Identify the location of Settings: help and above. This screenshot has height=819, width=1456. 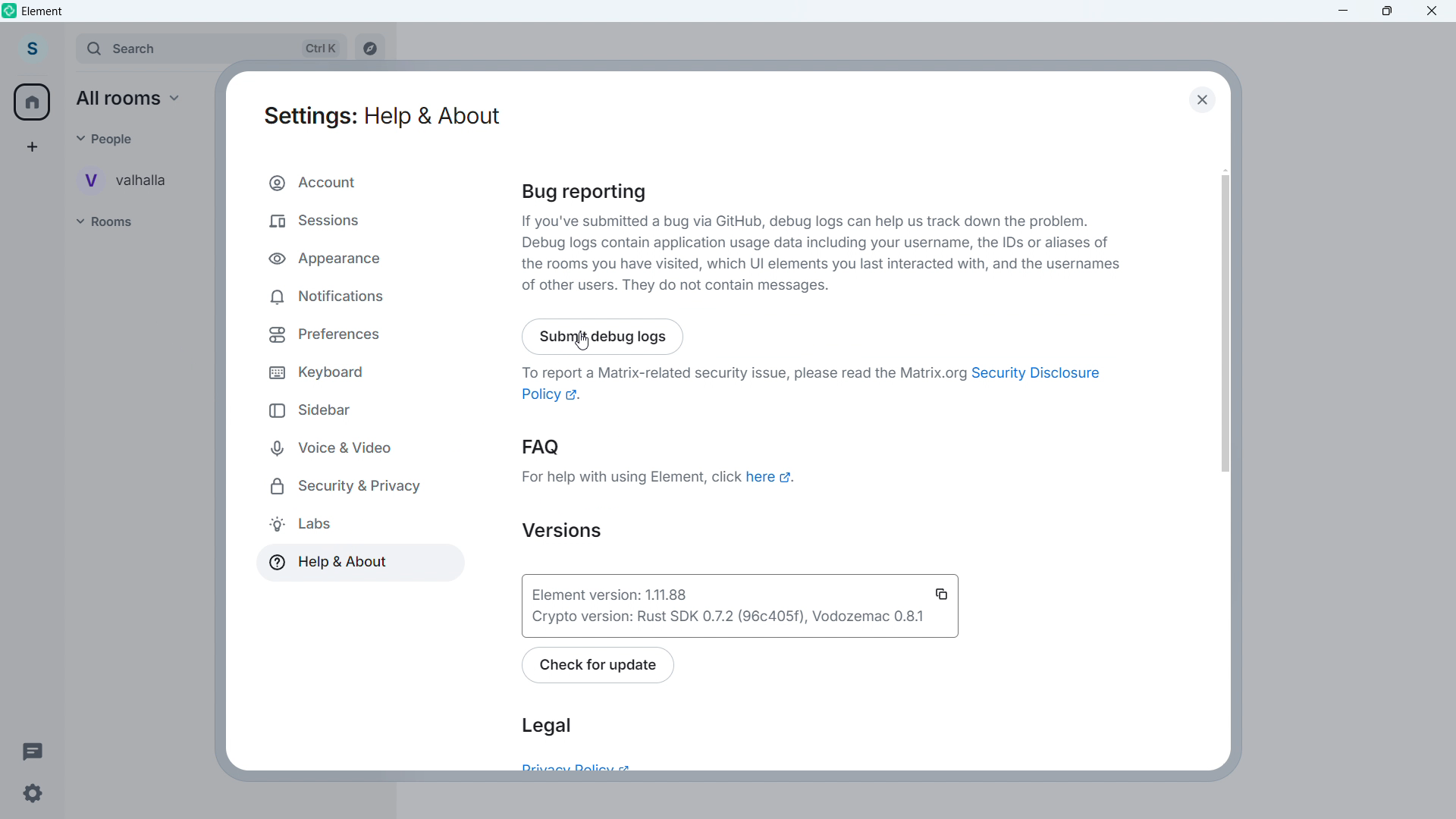
(381, 118).